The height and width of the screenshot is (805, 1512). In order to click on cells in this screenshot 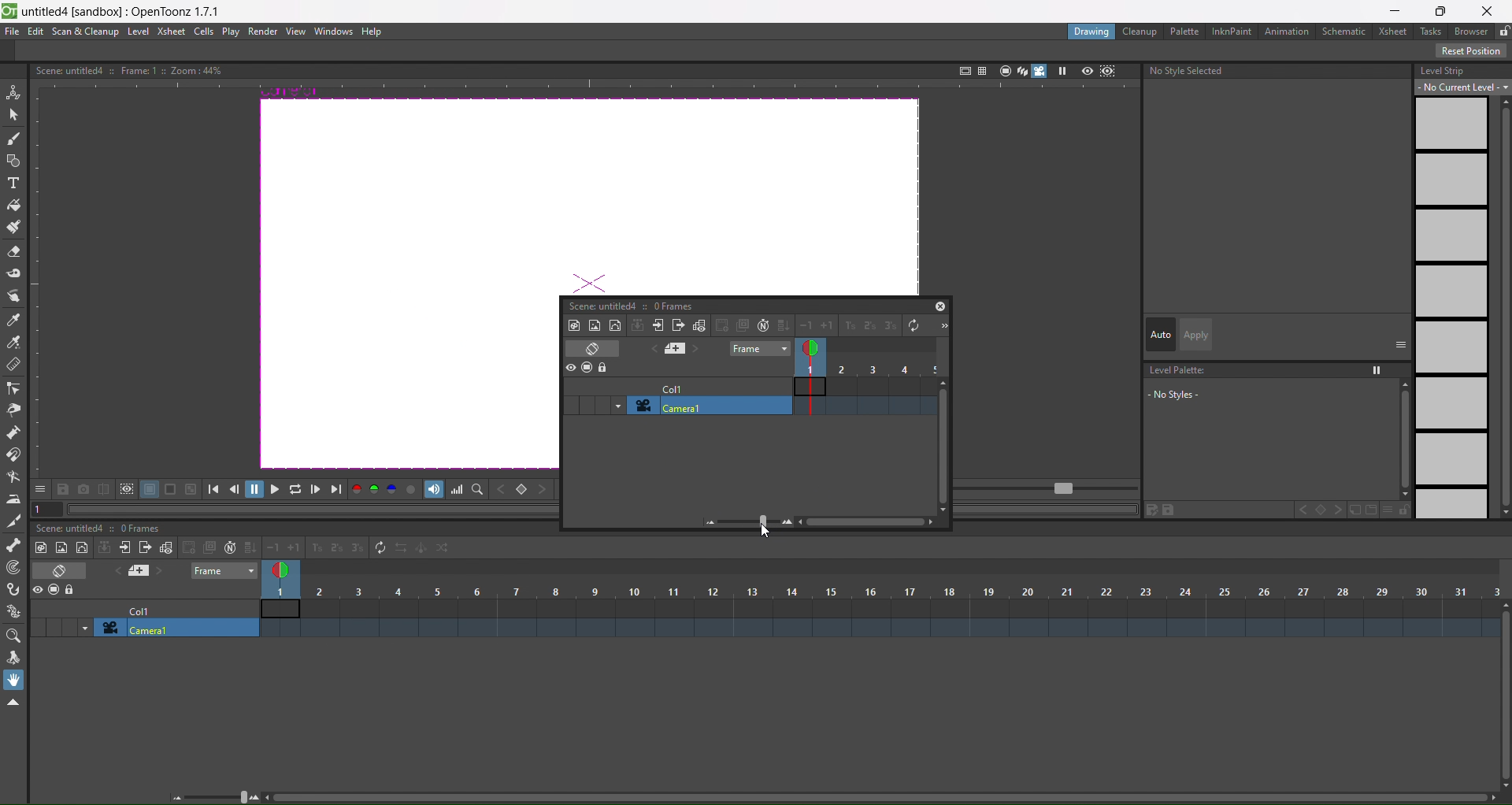, I will do `click(205, 31)`.